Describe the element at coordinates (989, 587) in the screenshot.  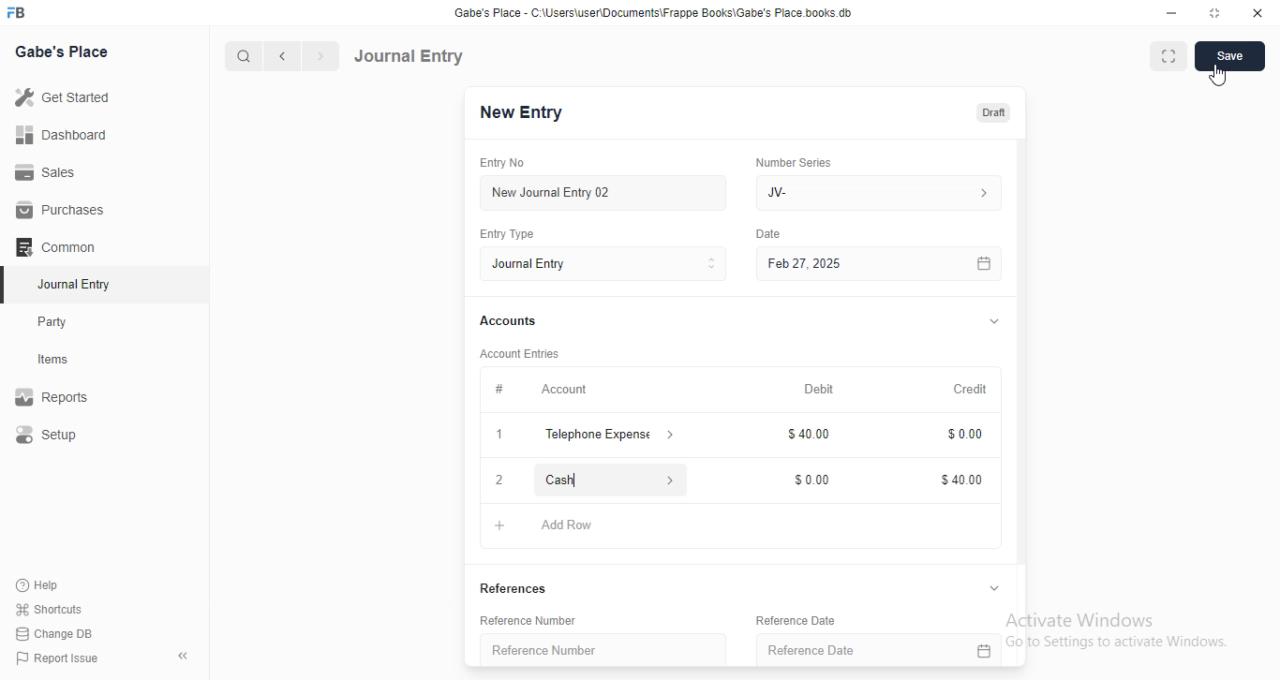
I see `Hide` at that location.